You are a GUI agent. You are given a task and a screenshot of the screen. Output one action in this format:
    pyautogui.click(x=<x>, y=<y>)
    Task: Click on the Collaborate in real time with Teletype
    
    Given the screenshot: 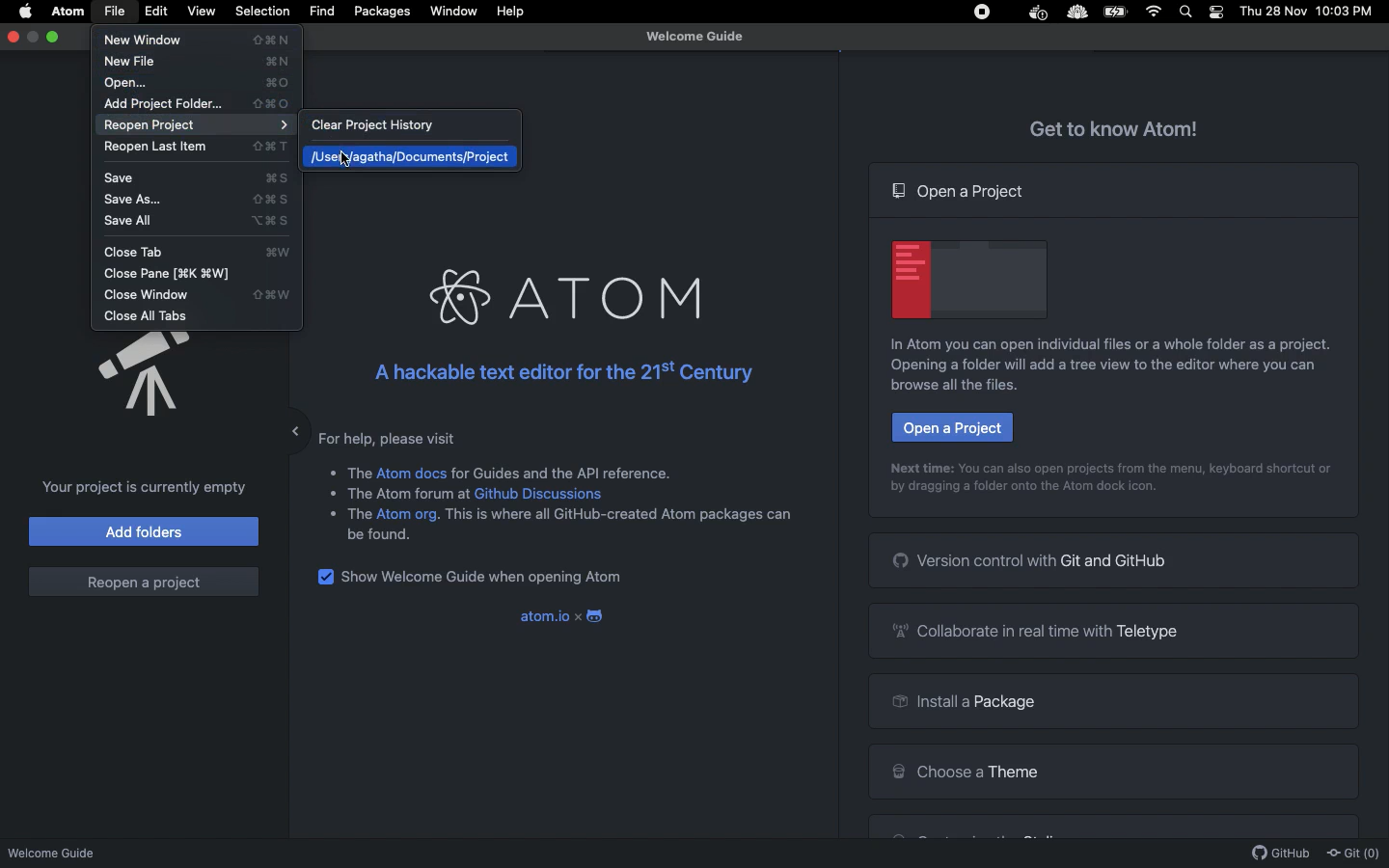 What is the action you would take?
    pyautogui.click(x=1042, y=630)
    